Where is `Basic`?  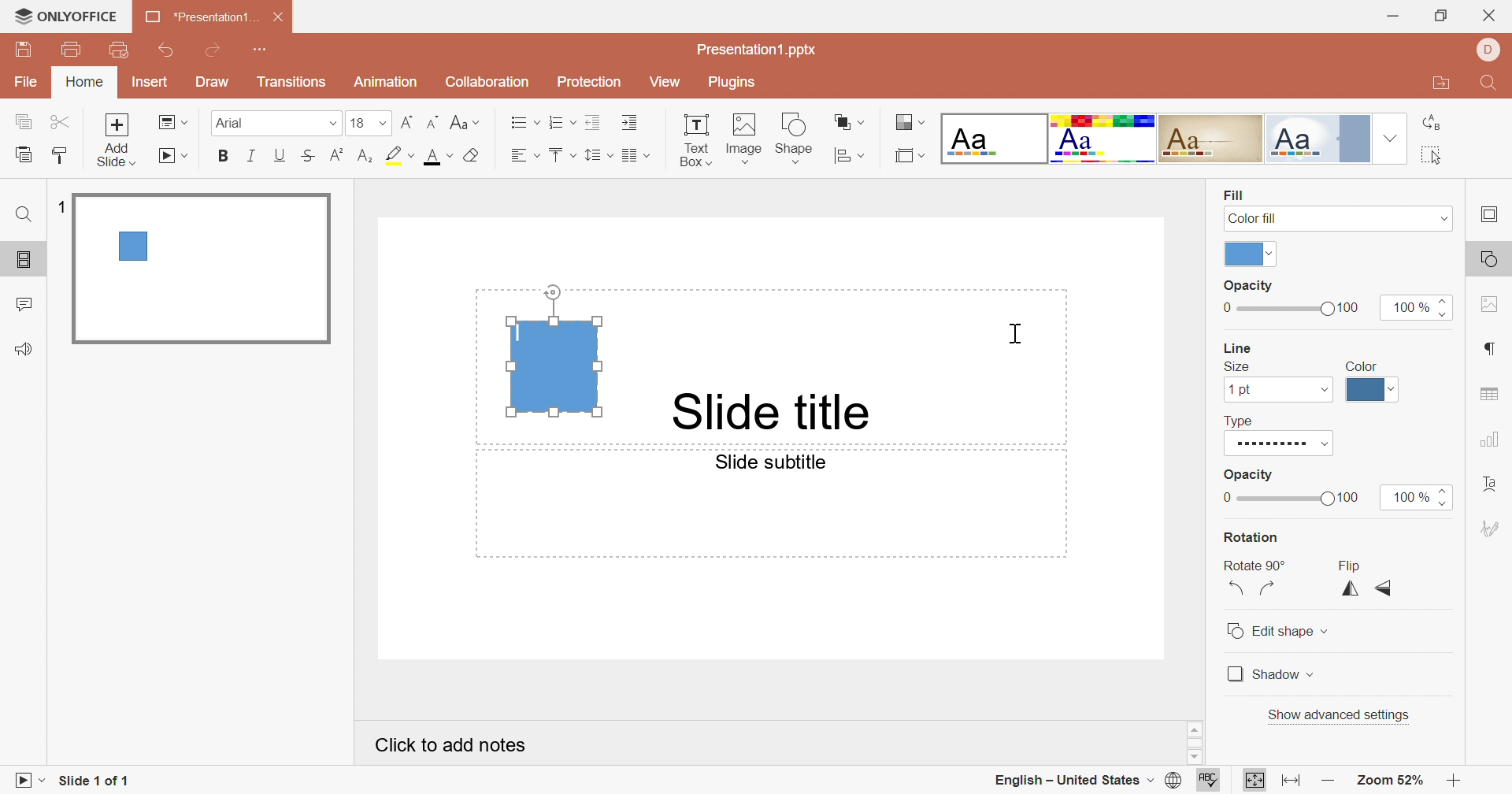 Basic is located at coordinates (1104, 138).